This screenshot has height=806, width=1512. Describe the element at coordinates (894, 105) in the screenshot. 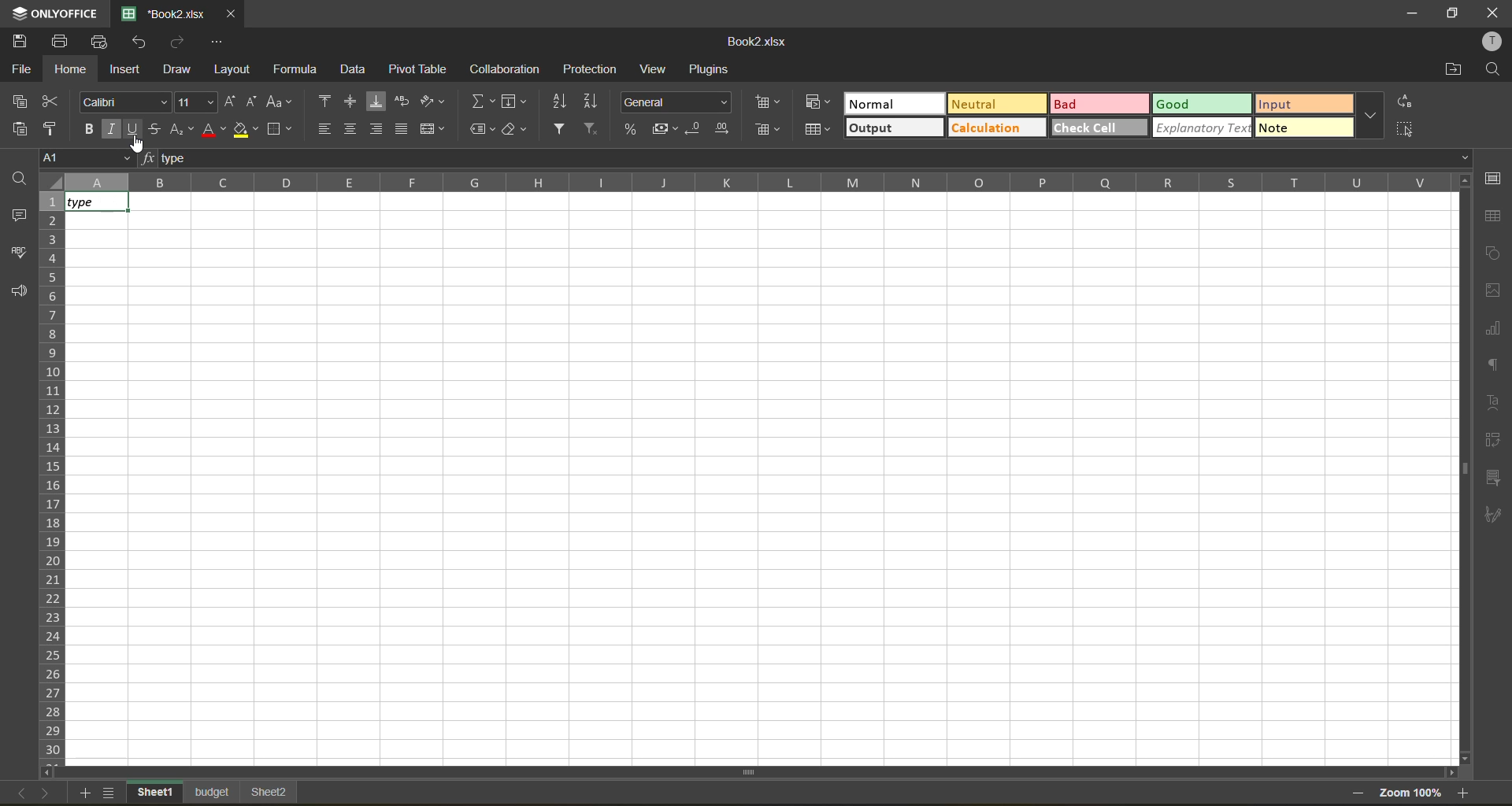

I see `normal` at that location.